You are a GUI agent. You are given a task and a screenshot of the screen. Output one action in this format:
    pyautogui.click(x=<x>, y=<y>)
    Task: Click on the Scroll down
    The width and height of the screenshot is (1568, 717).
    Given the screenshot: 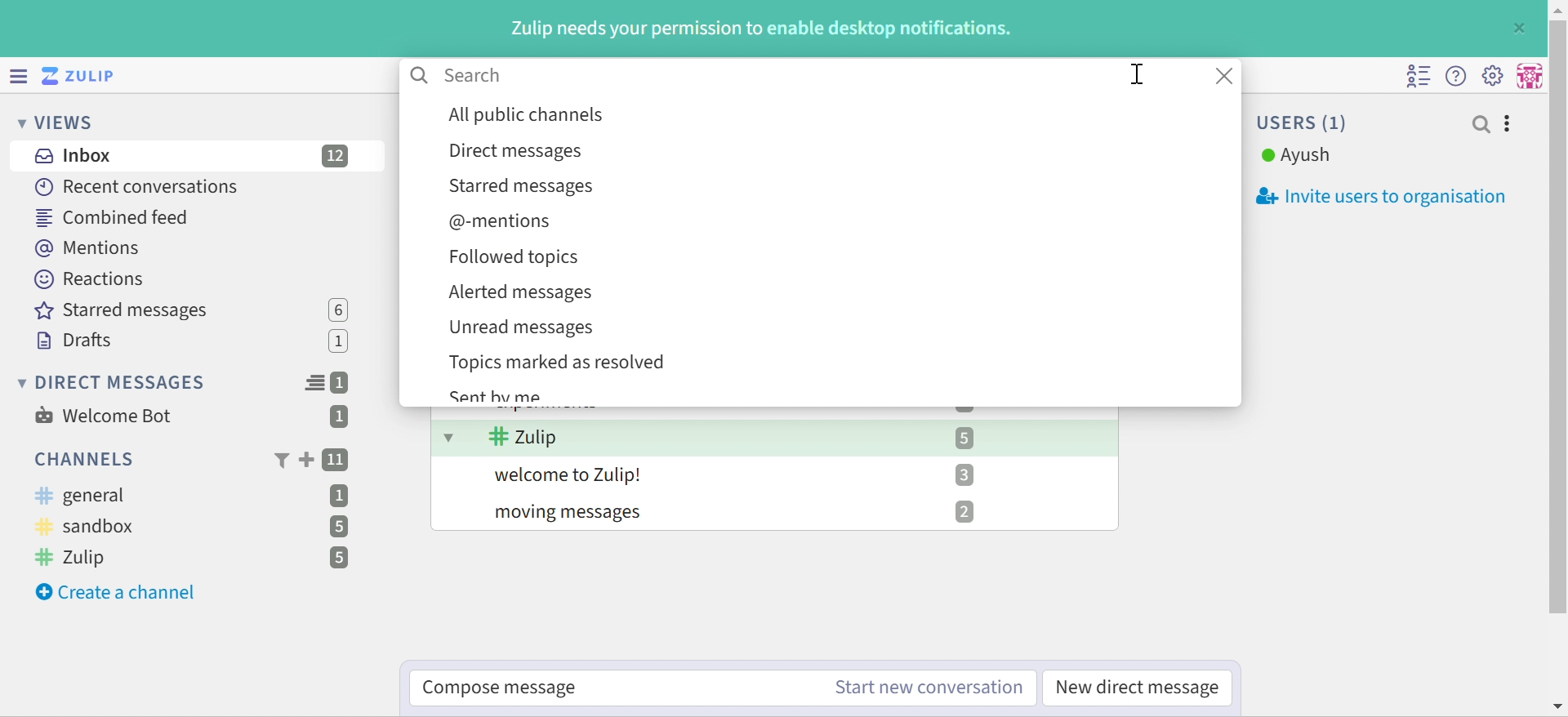 What is the action you would take?
    pyautogui.click(x=1558, y=706)
    